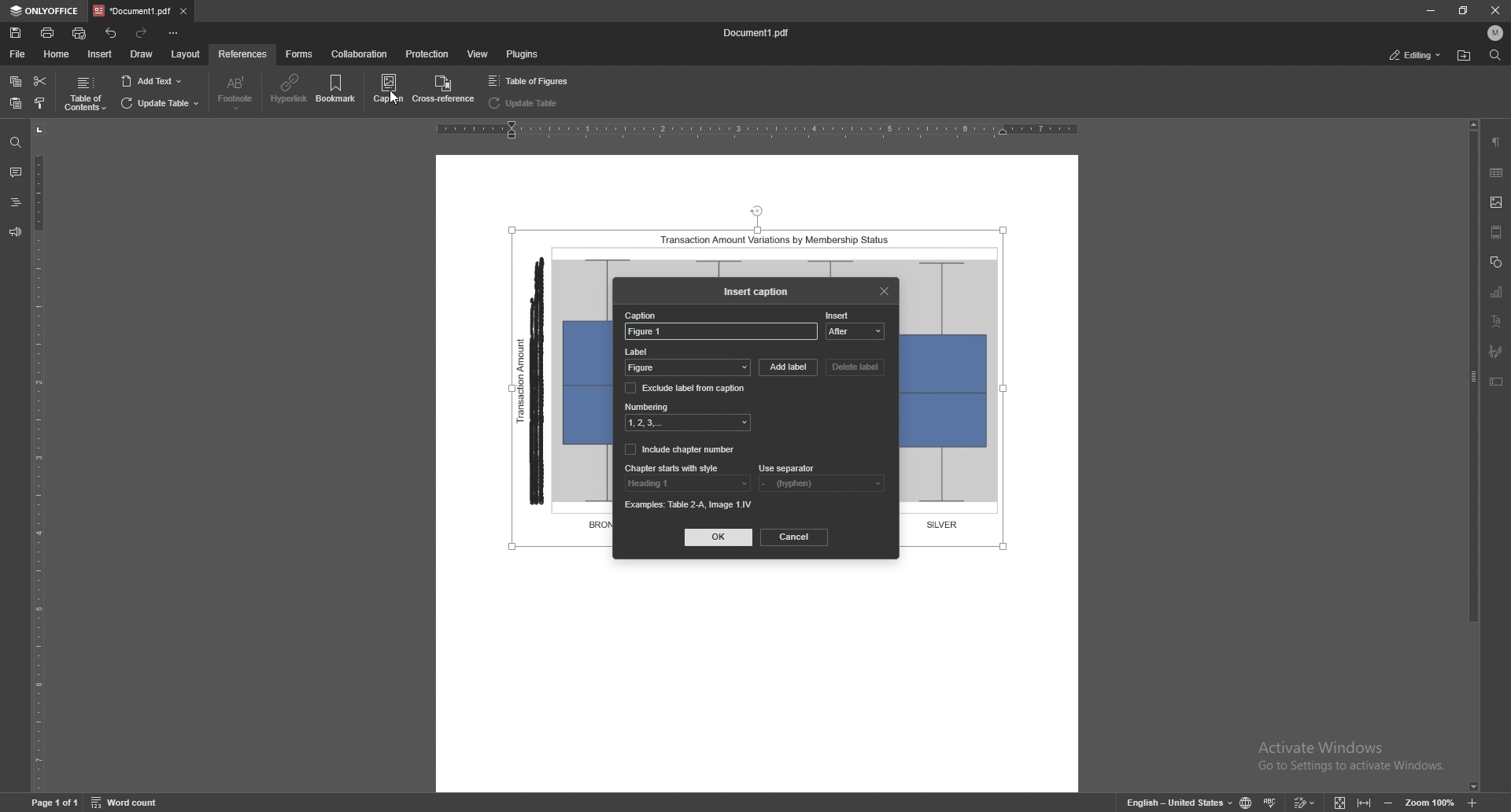  I want to click on exclude label from caption, so click(688, 388).